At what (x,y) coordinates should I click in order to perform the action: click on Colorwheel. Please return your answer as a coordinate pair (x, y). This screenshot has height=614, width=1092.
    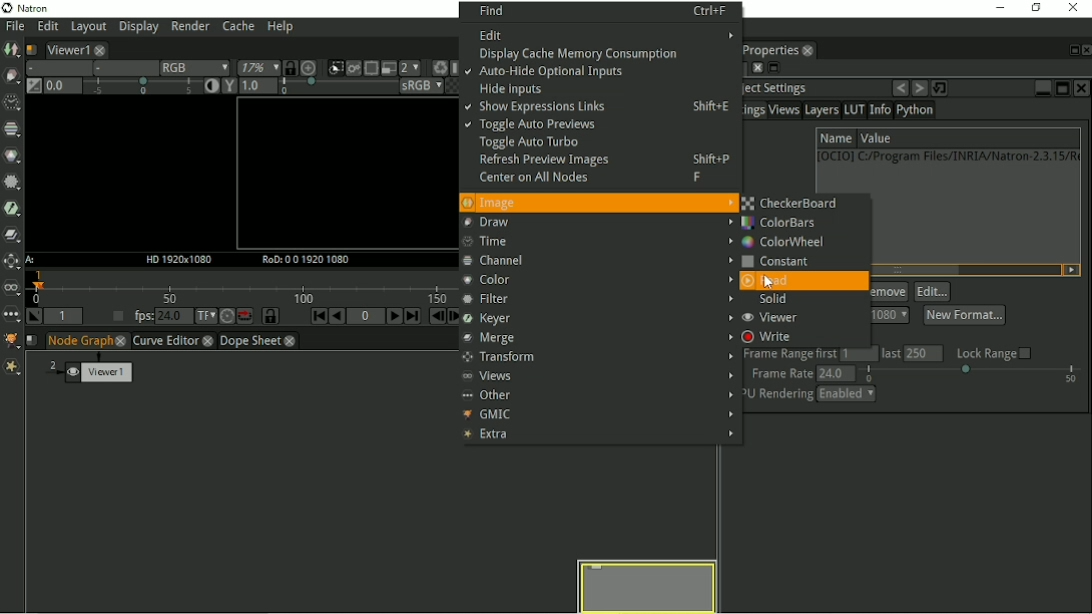
    Looking at the image, I should click on (784, 241).